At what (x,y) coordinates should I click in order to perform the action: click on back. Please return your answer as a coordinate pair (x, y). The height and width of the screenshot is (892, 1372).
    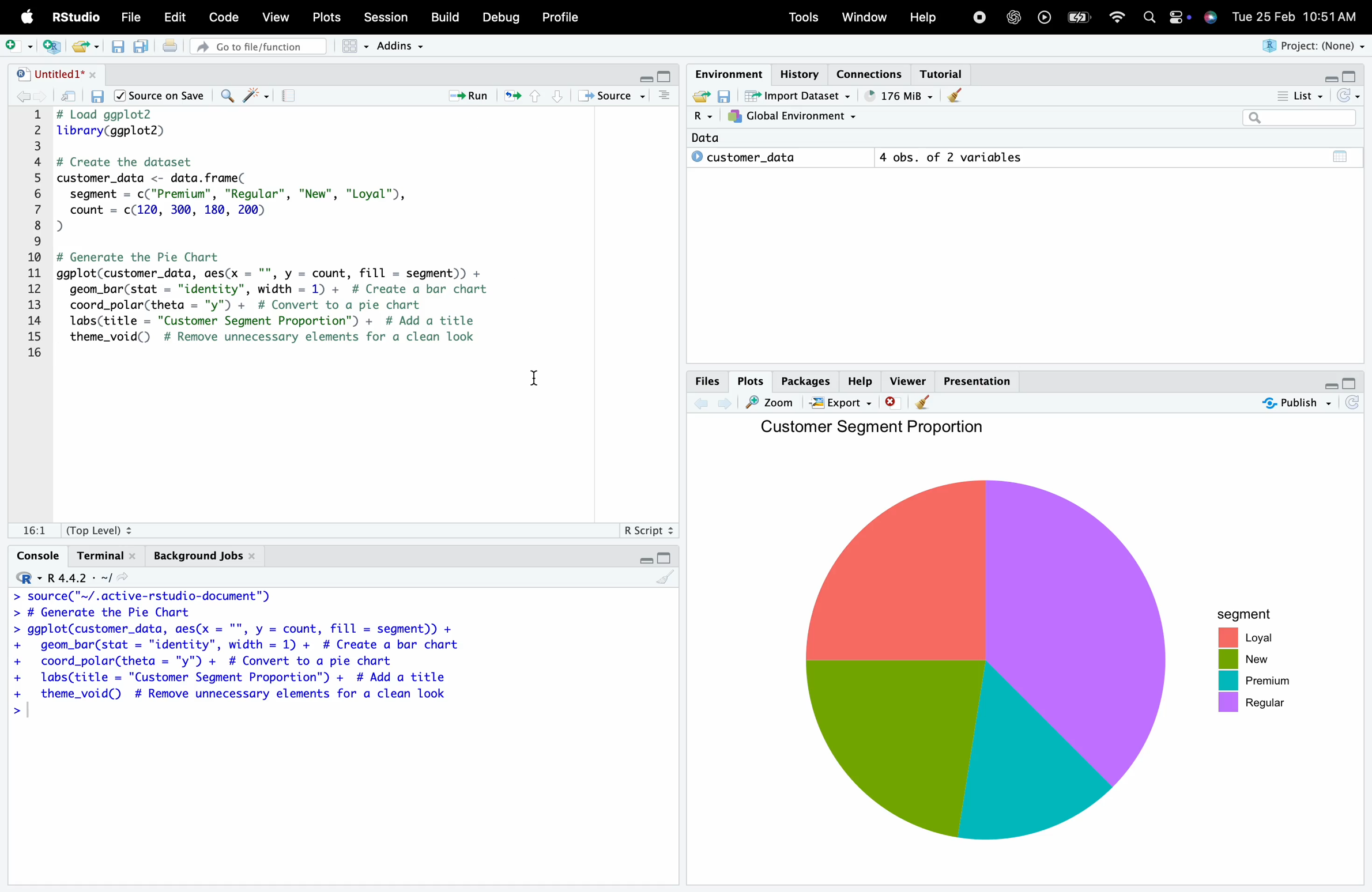
    Looking at the image, I should click on (702, 406).